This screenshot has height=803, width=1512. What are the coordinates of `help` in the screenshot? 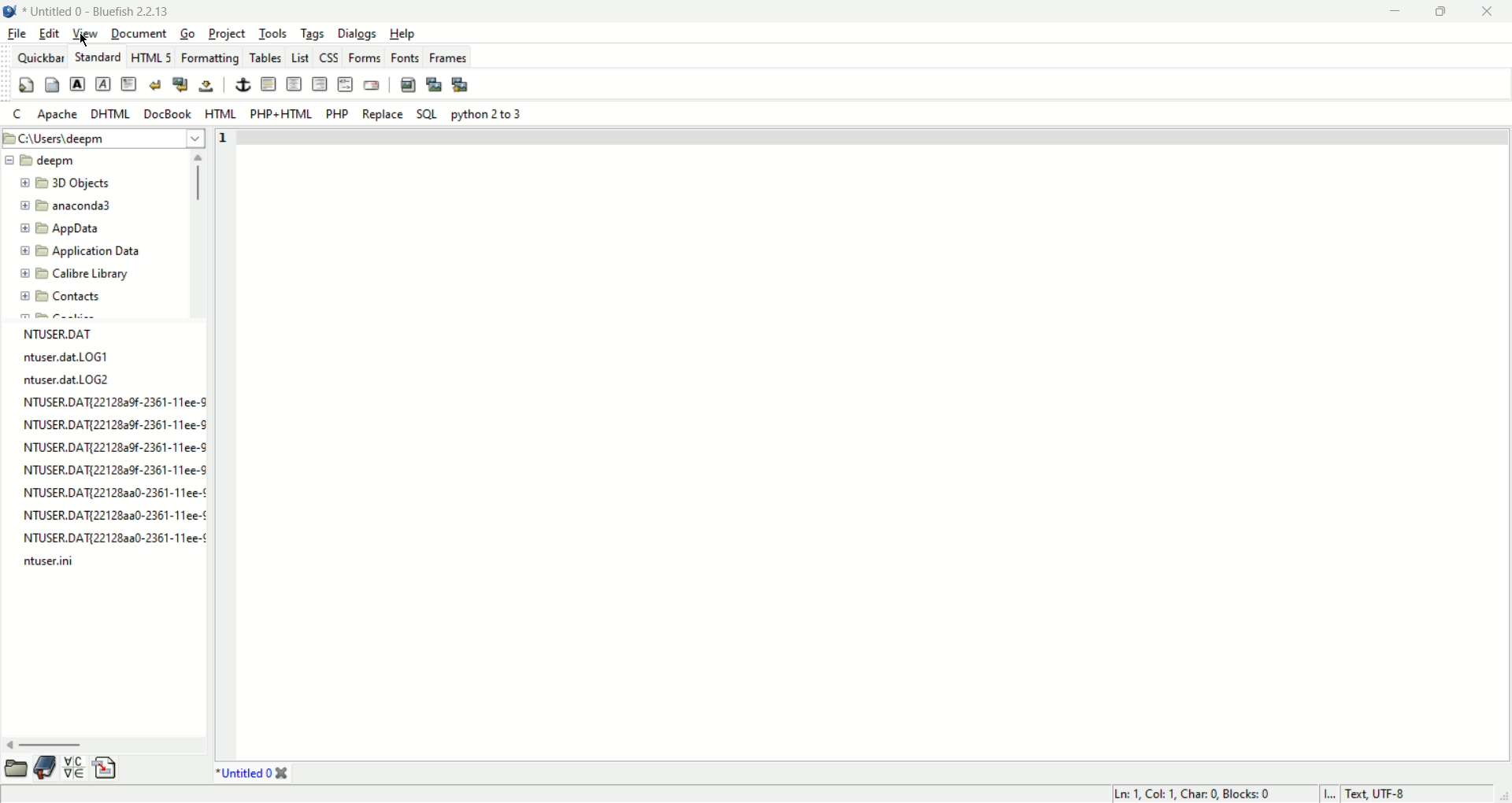 It's located at (402, 33).